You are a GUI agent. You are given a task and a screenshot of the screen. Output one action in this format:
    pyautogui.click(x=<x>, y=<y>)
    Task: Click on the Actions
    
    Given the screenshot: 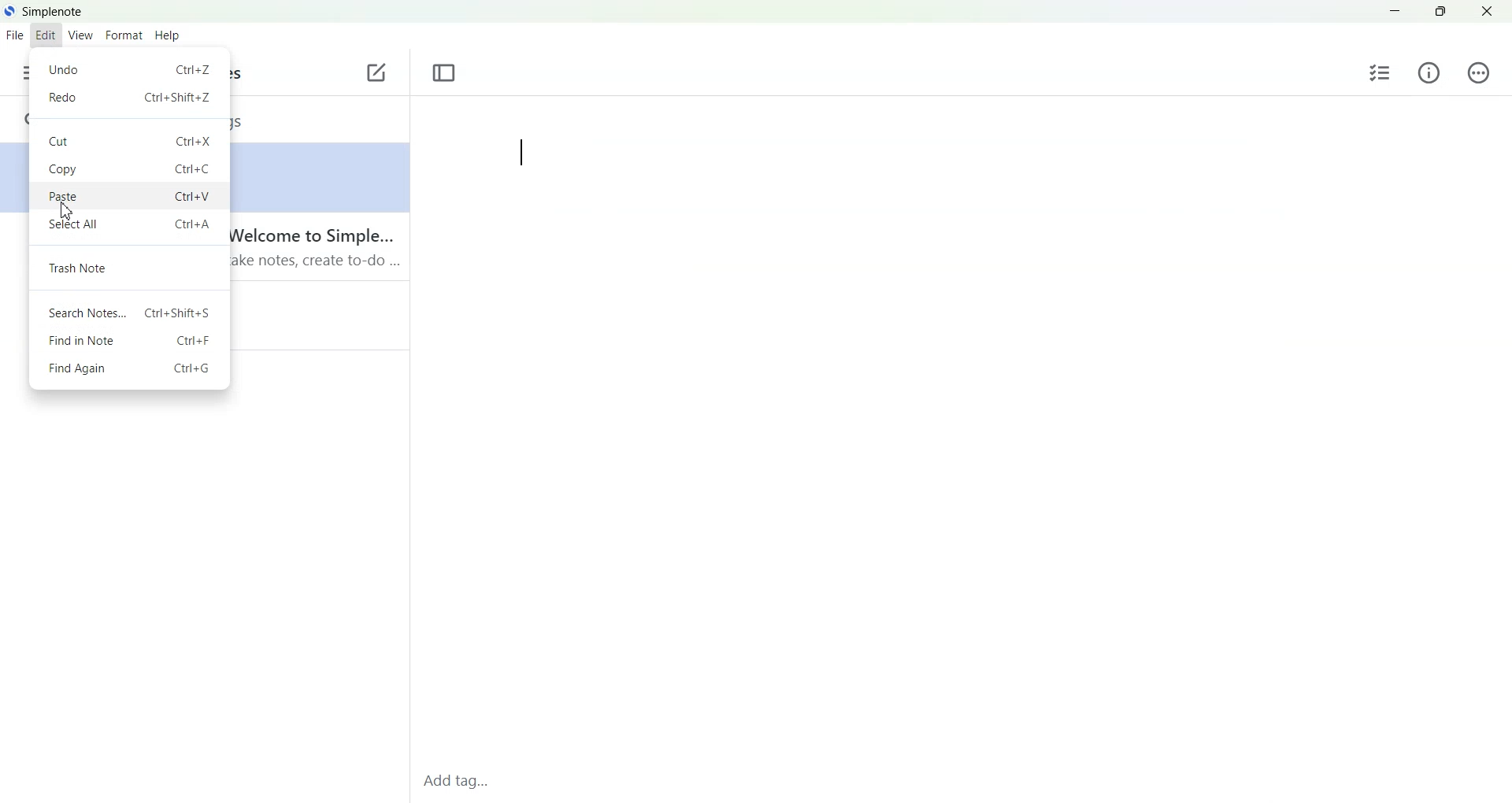 What is the action you would take?
    pyautogui.click(x=1475, y=72)
    